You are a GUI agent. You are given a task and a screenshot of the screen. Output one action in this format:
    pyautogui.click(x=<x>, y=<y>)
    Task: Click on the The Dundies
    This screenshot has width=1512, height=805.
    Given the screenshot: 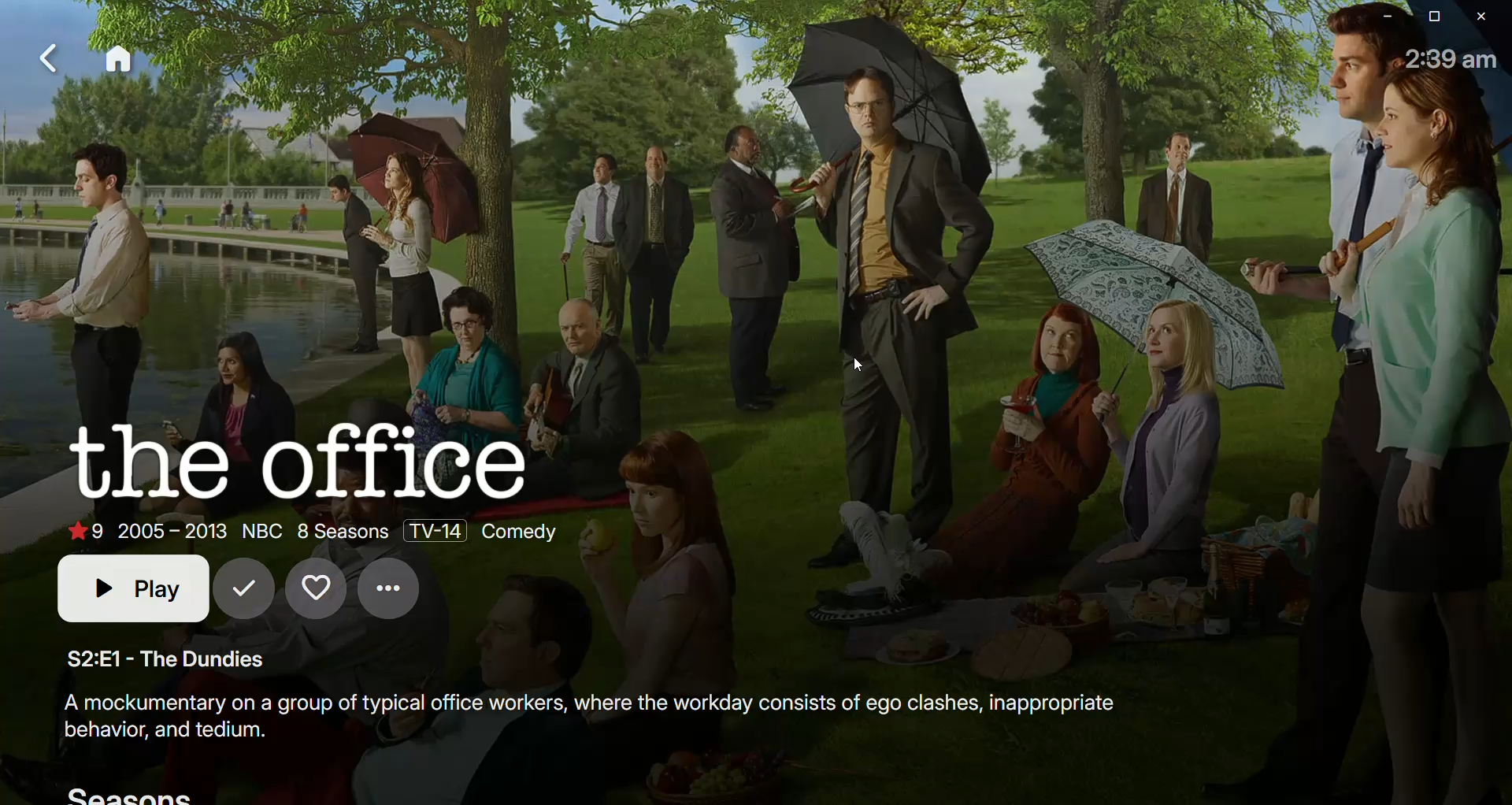 What is the action you would take?
    pyautogui.click(x=173, y=662)
    